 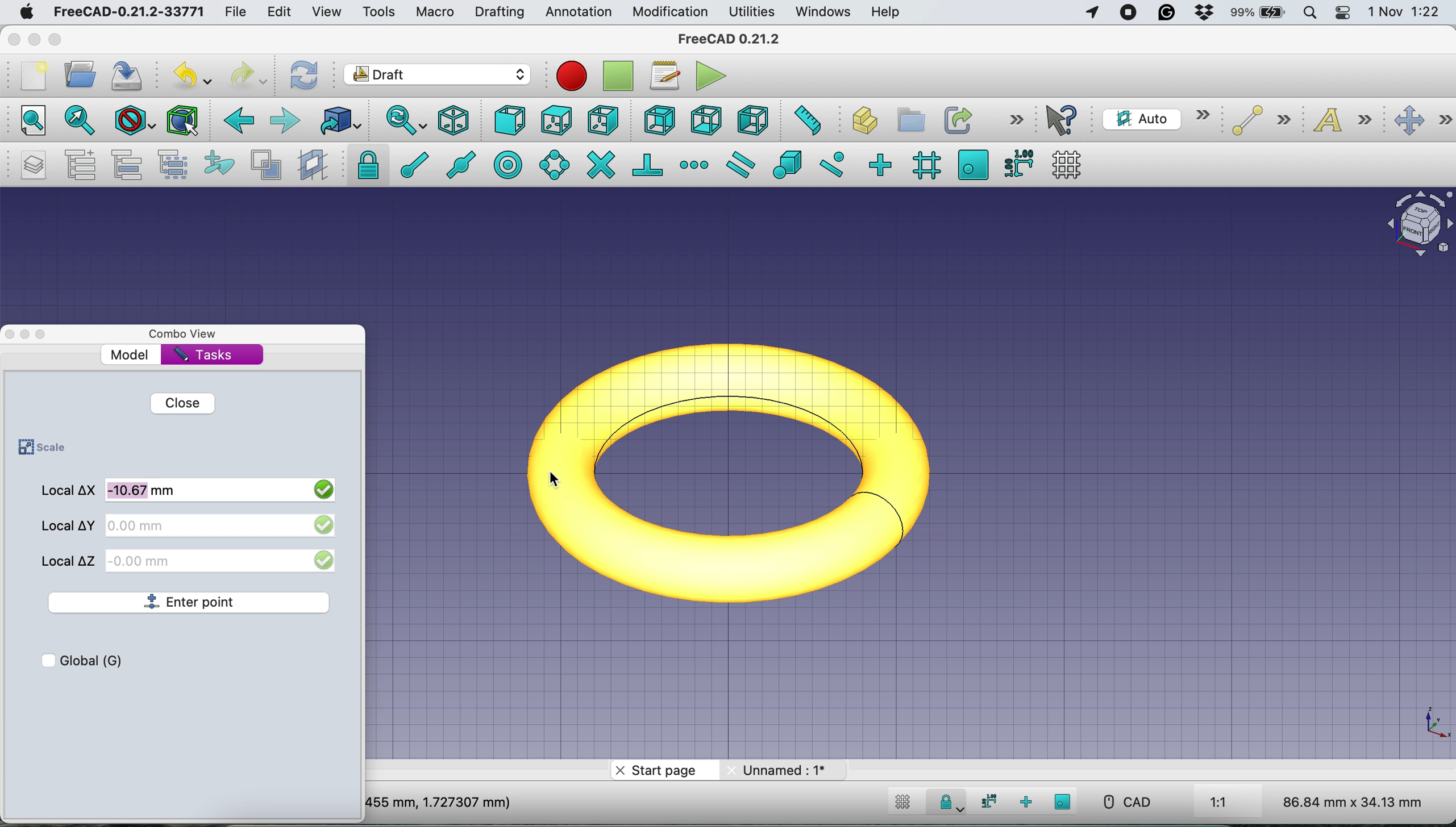 I want to click on go to linked object, so click(x=339, y=120).